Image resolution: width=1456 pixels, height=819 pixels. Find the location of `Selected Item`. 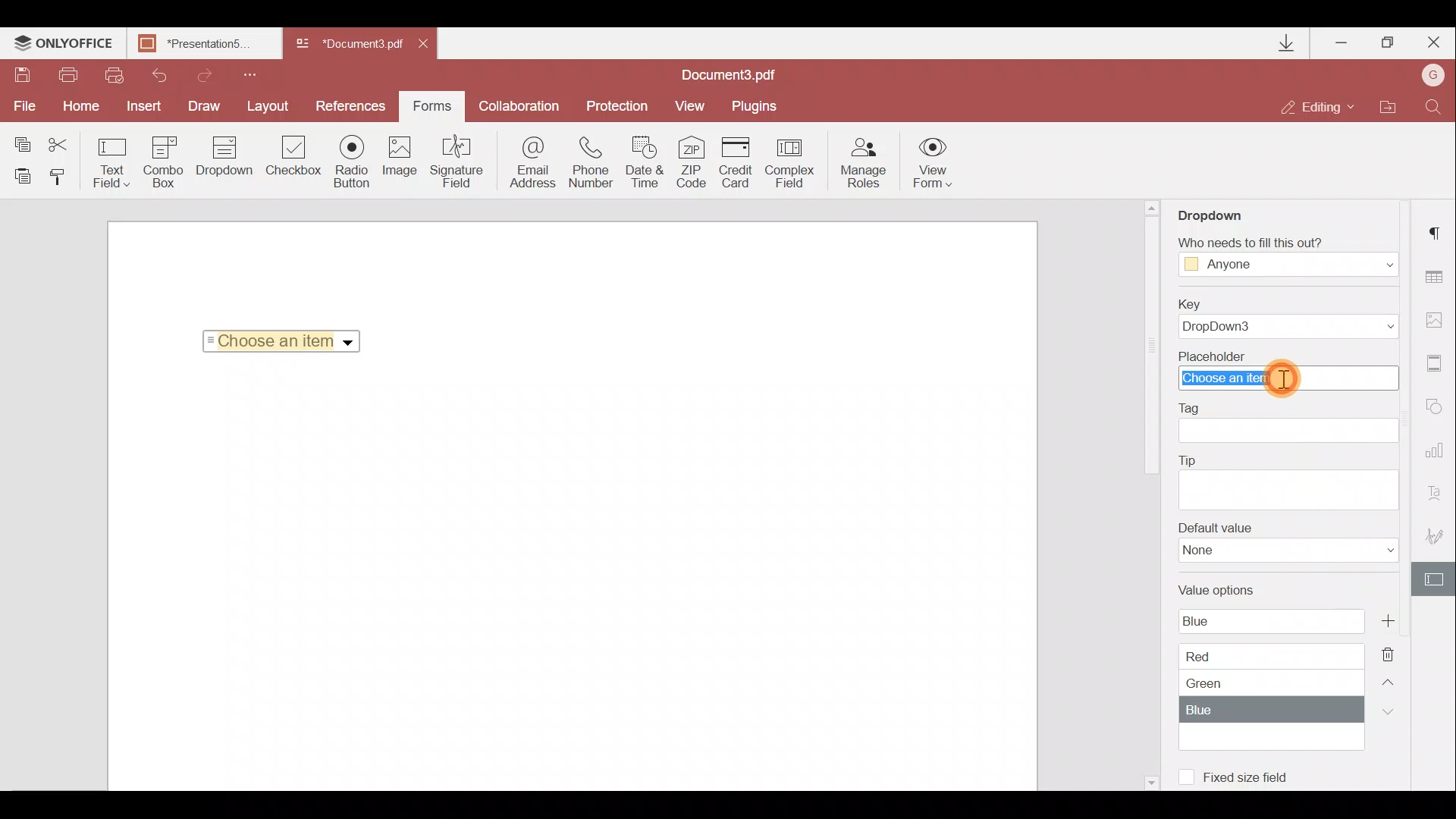

Selected Item is located at coordinates (277, 340).